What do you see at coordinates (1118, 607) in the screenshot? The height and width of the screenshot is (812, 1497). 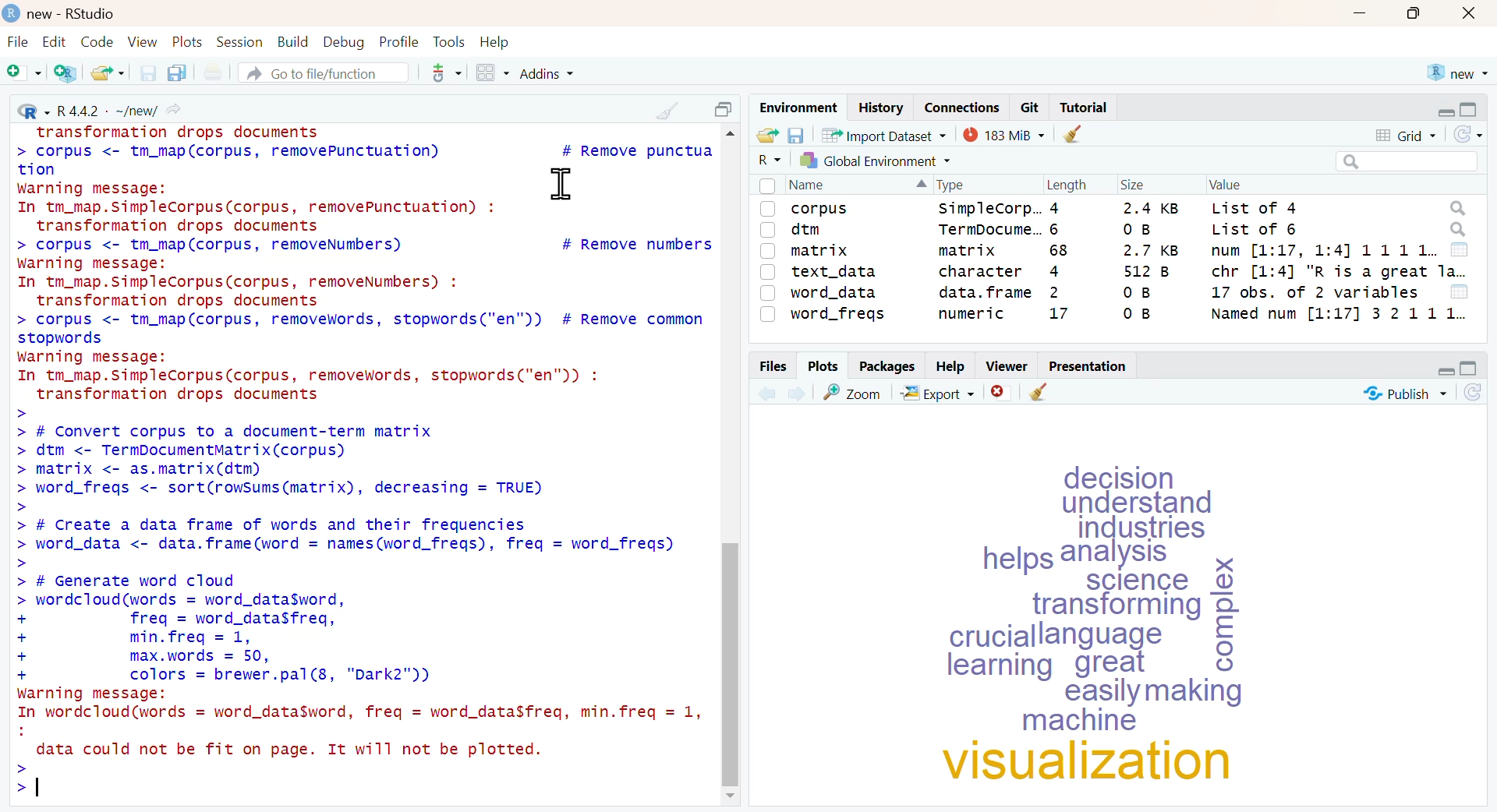 I see `transforming` at bounding box center [1118, 607].